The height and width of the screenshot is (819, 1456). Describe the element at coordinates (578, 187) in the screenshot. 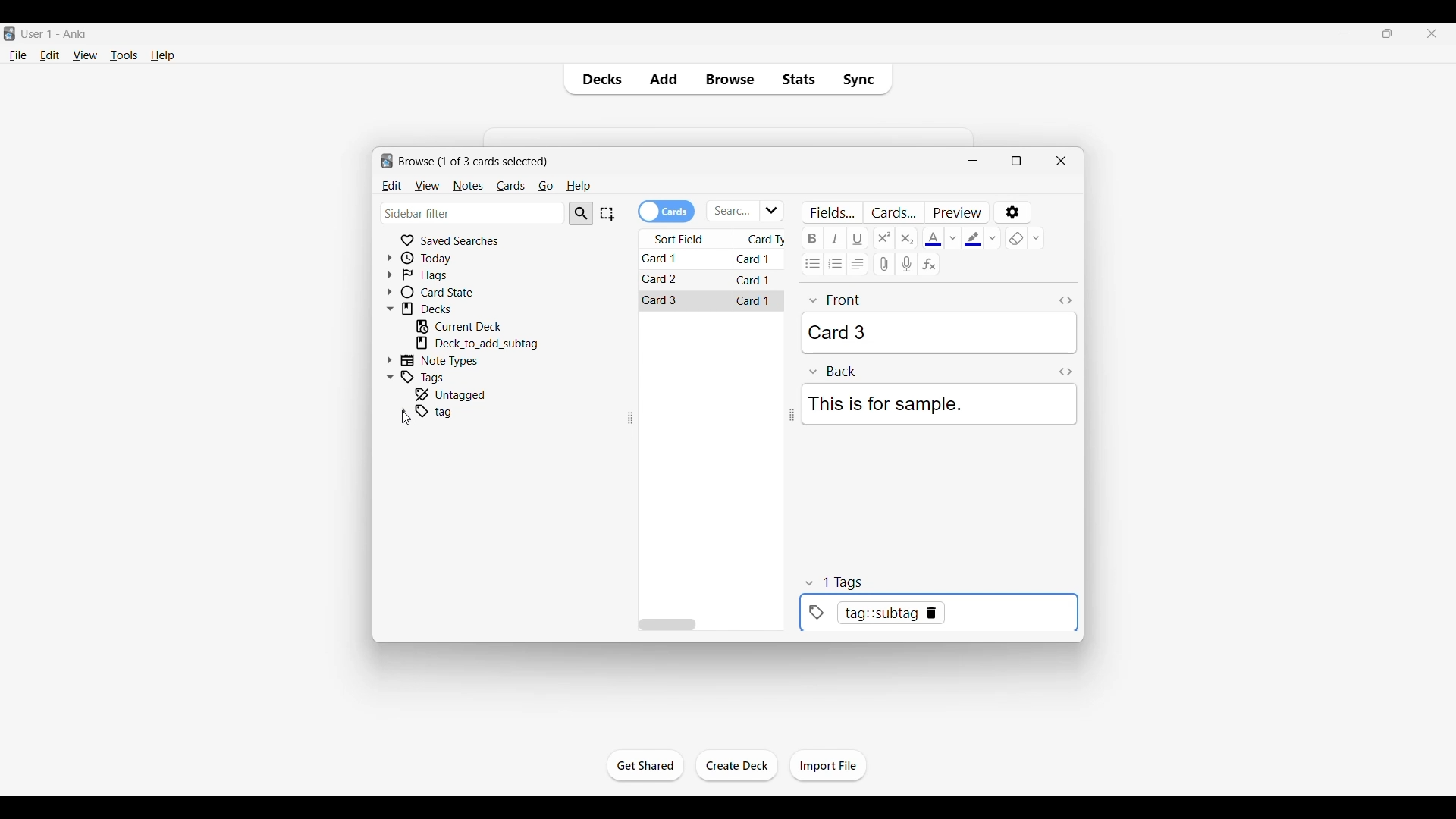

I see `Help menu` at that location.